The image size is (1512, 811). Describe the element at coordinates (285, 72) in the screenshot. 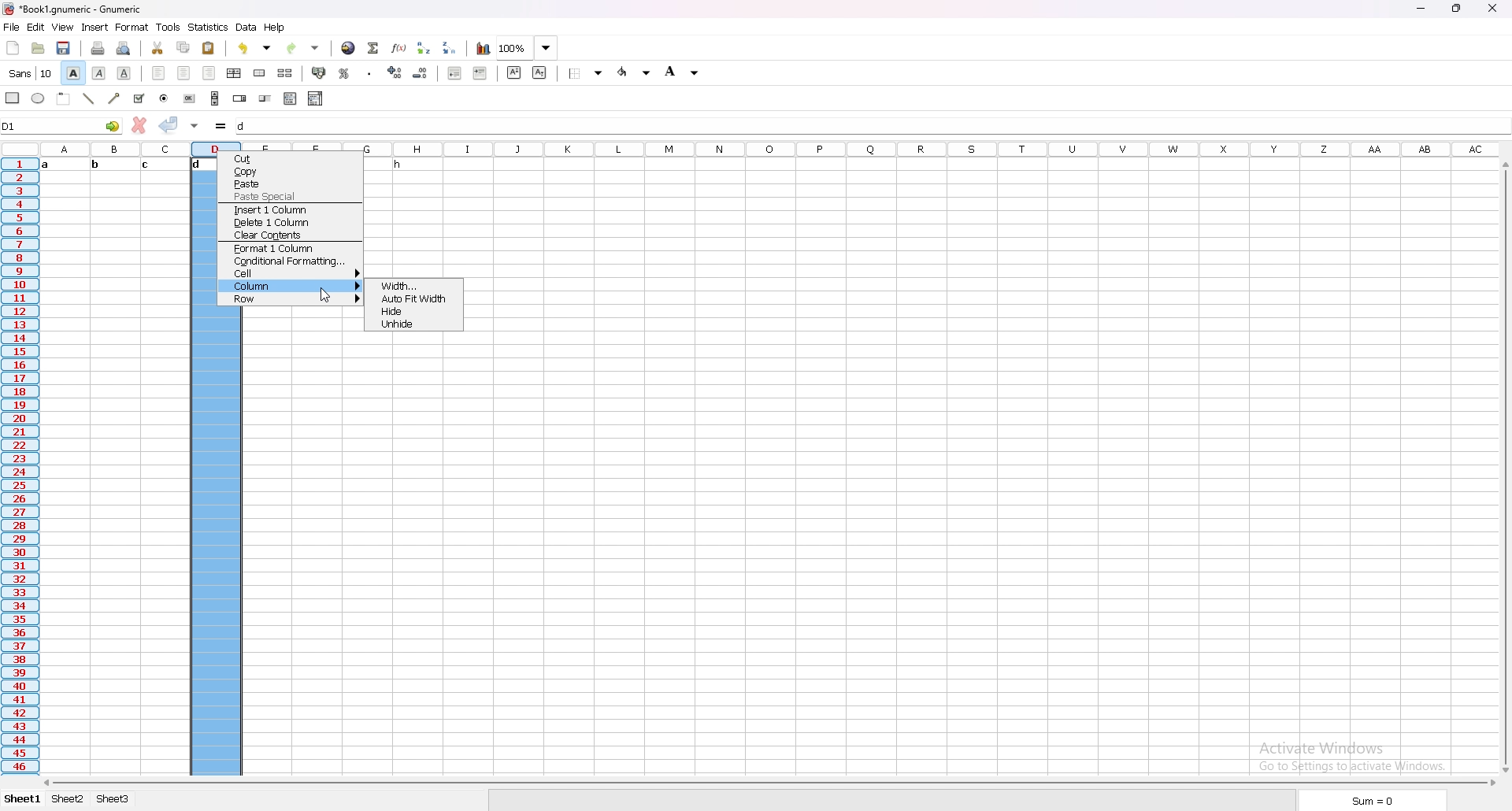

I see `split merged cell` at that location.